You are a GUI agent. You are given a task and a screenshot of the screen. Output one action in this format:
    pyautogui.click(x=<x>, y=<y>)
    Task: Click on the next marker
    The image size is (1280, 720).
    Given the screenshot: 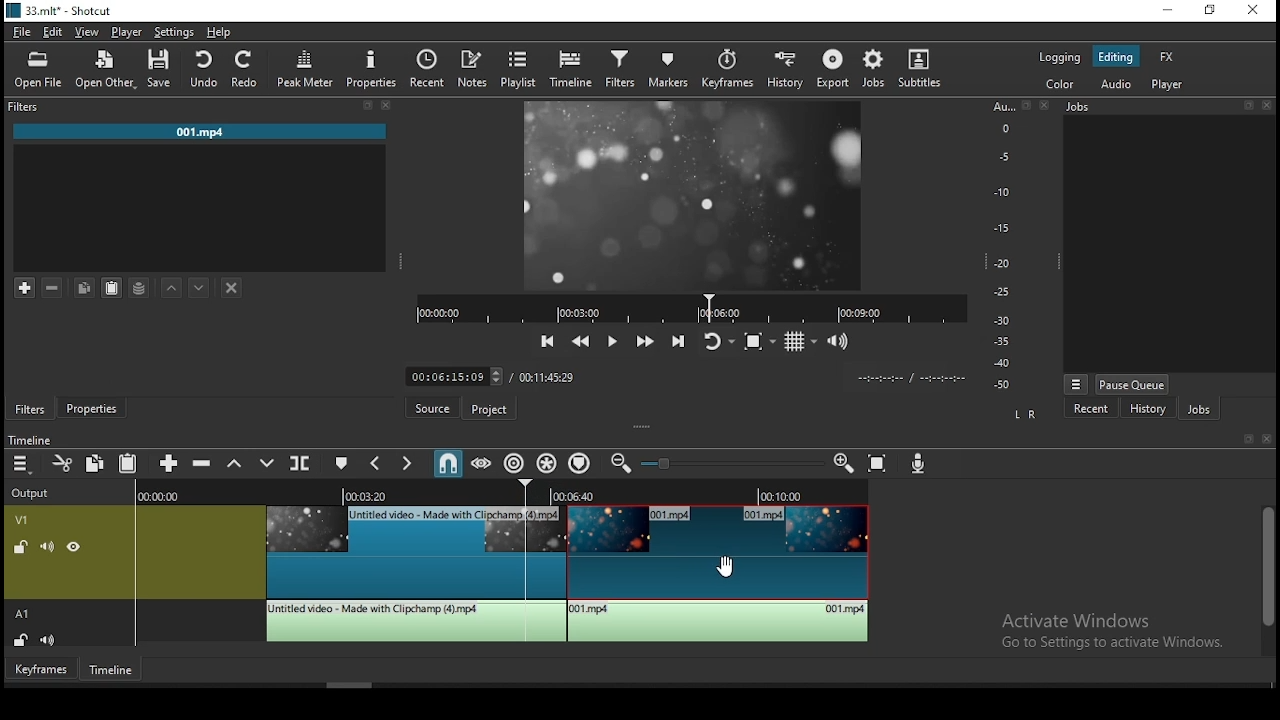 What is the action you would take?
    pyautogui.click(x=406, y=464)
    